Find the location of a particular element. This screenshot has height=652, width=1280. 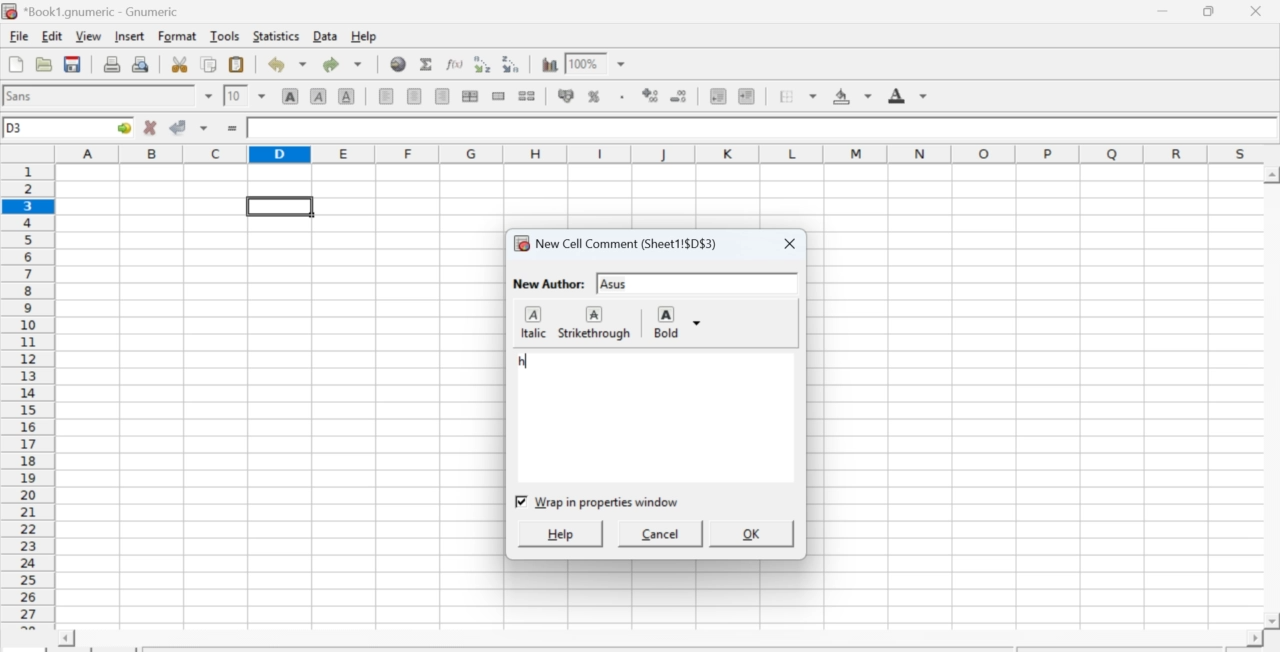

= is located at coordinates (231, 129).